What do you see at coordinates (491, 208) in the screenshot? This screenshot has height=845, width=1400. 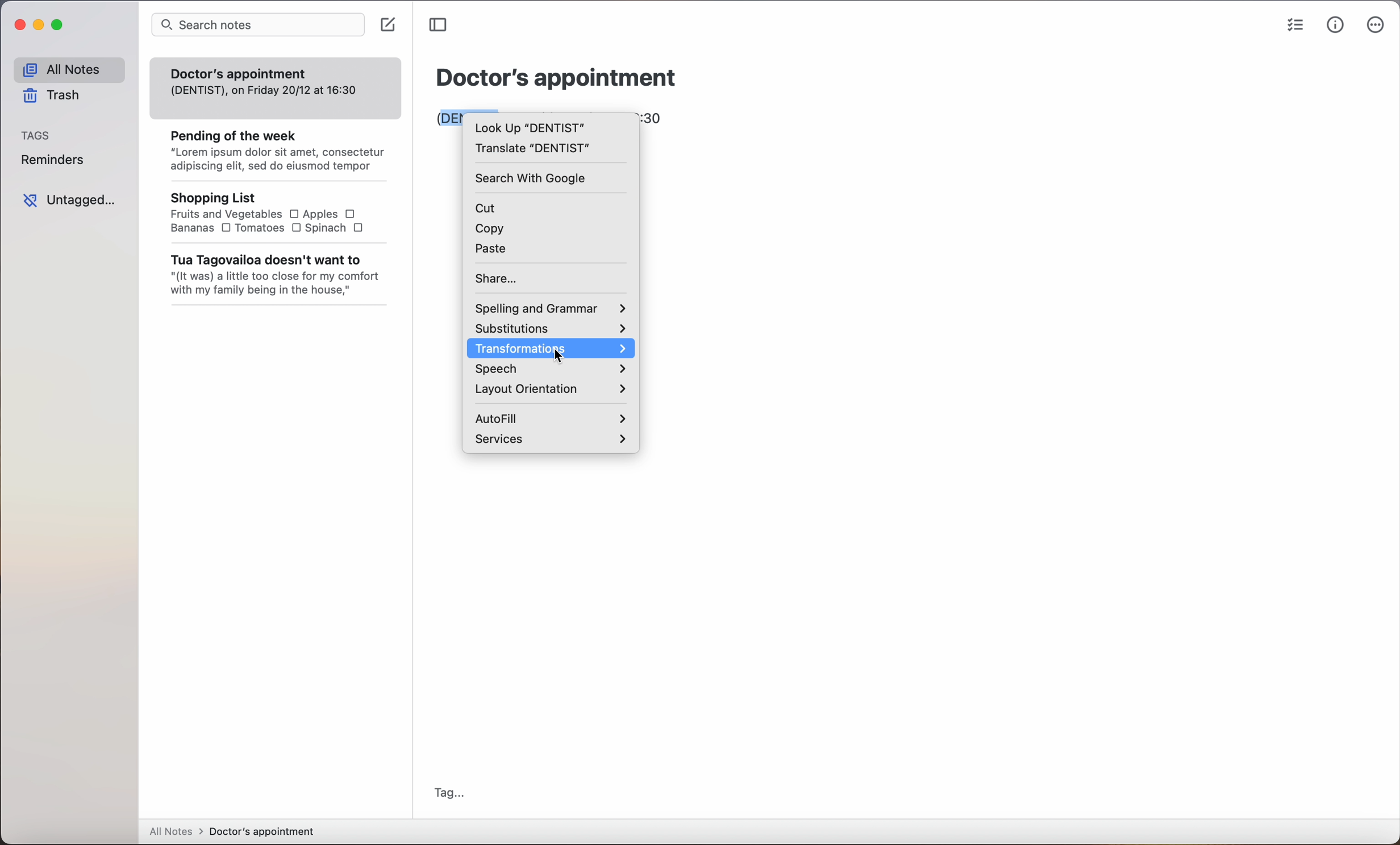 I see `cut` at bounding box center [491, 208].